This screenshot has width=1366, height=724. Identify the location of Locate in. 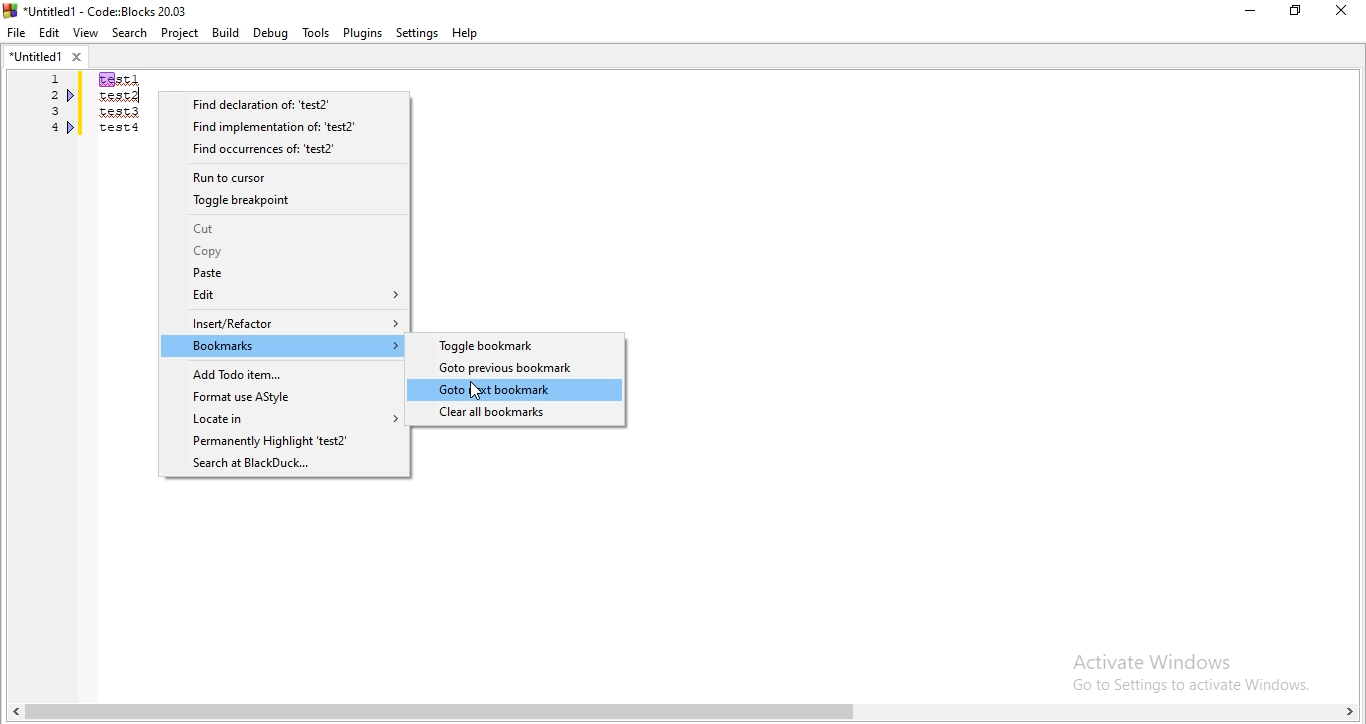
(282, 419).